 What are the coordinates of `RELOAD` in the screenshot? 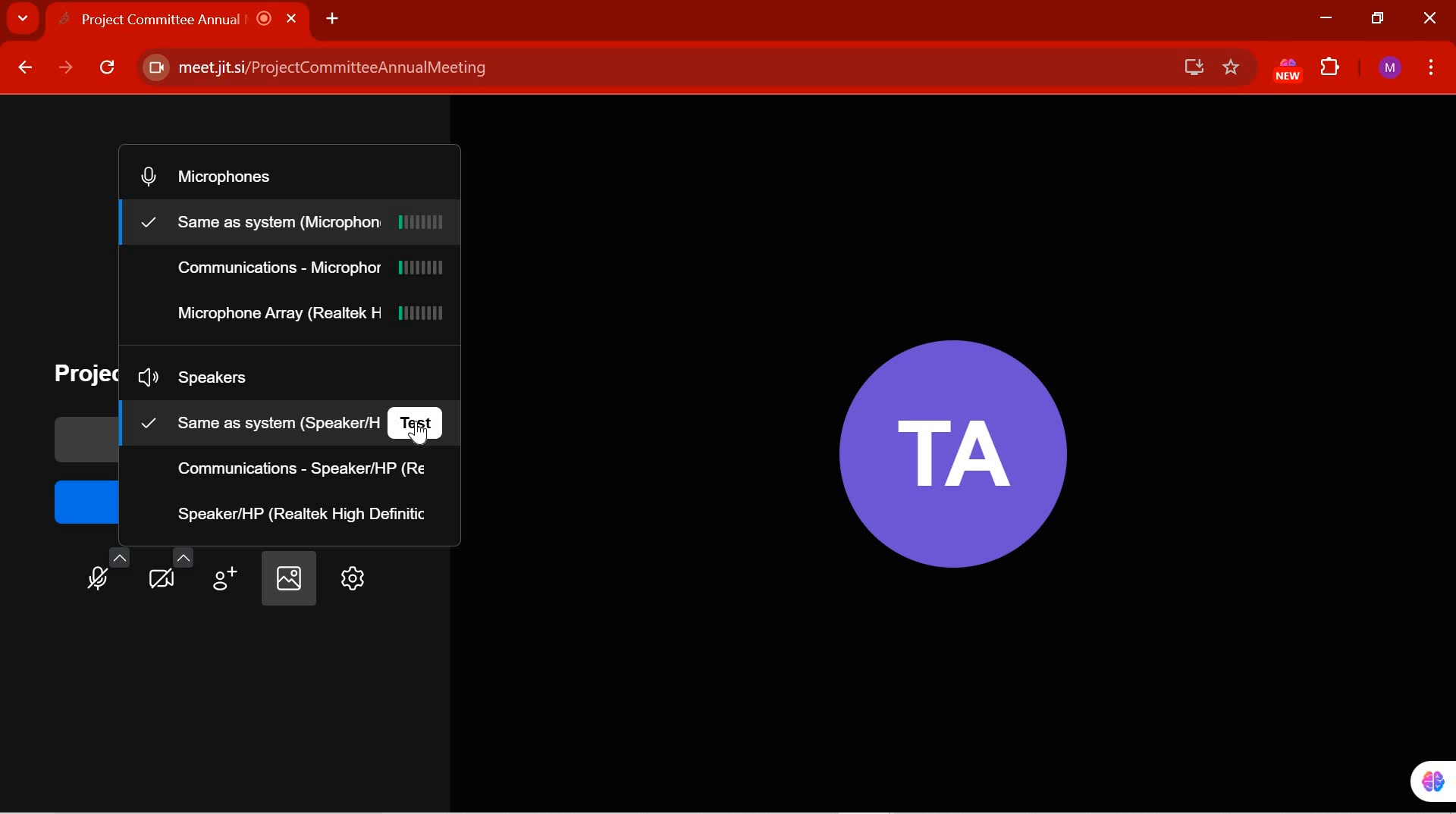 It's located at (108, 70).